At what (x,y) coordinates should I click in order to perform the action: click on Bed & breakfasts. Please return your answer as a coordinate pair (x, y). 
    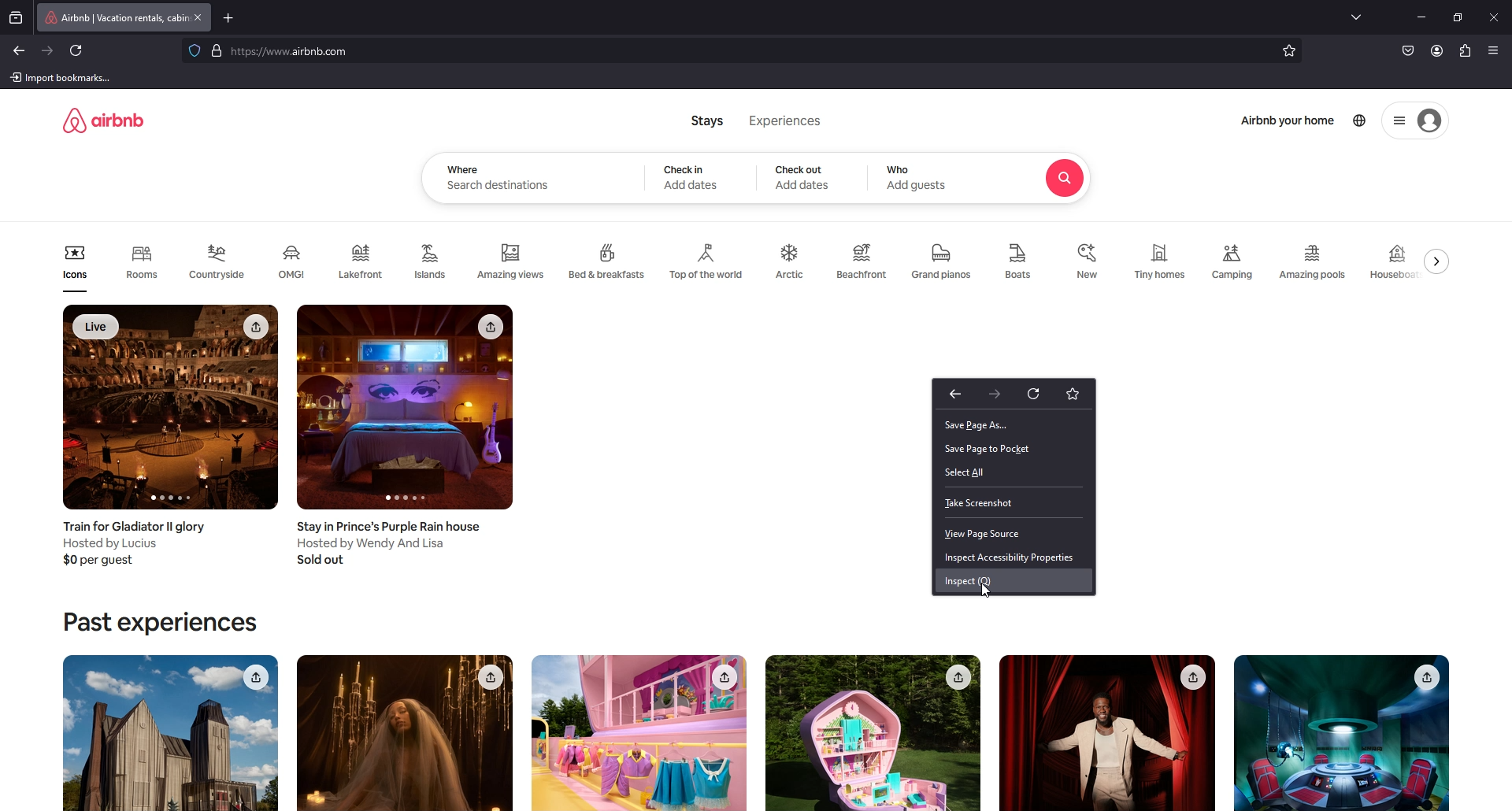
    Looking at the image, I should click on (609, 259).